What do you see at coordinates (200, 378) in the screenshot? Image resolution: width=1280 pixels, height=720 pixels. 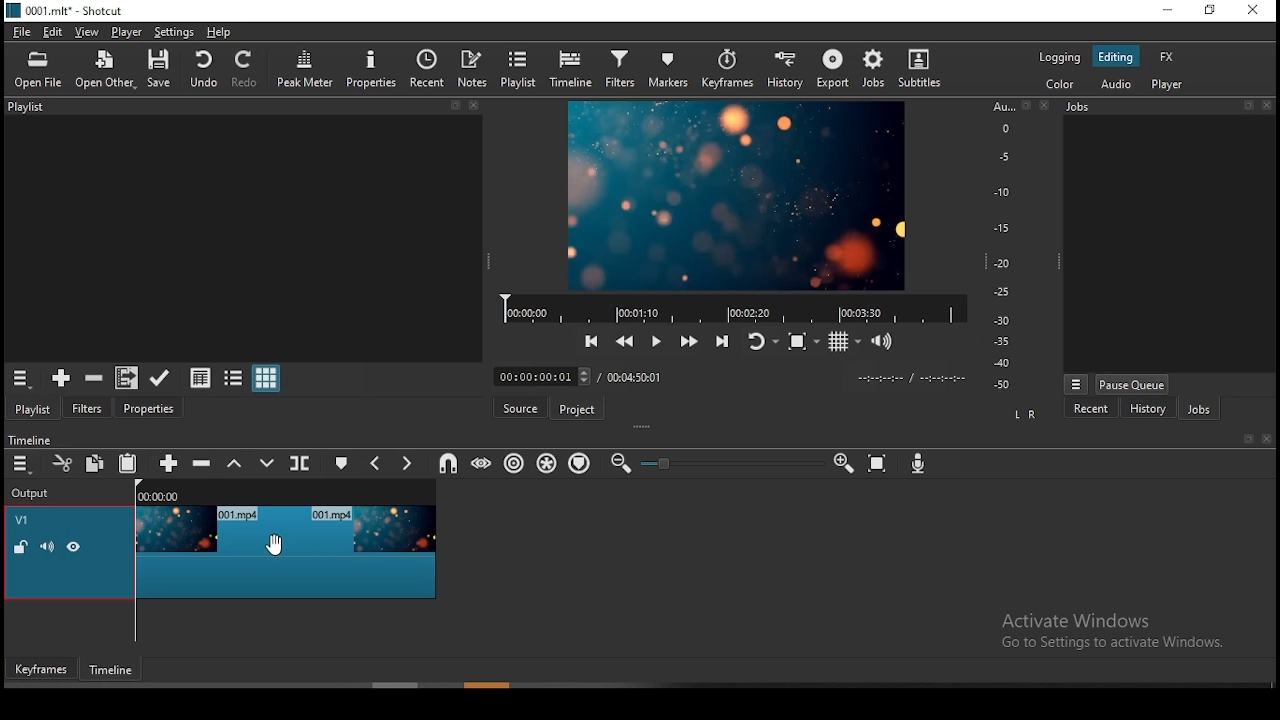 I see `view as details` at bounding box center [200, 378].